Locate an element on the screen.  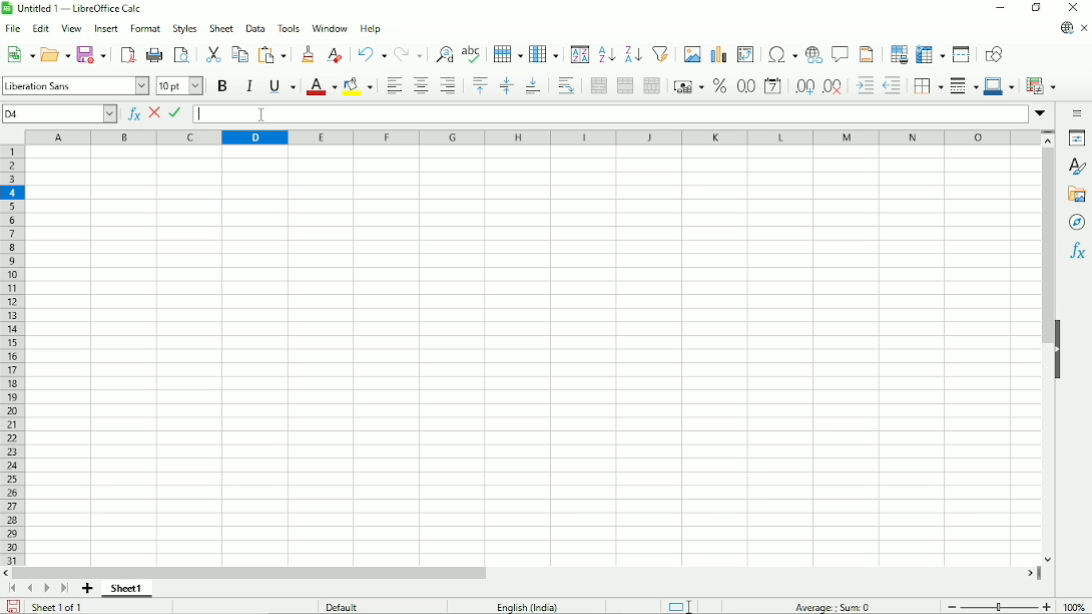
Italic is located at coordinates (249, 86).